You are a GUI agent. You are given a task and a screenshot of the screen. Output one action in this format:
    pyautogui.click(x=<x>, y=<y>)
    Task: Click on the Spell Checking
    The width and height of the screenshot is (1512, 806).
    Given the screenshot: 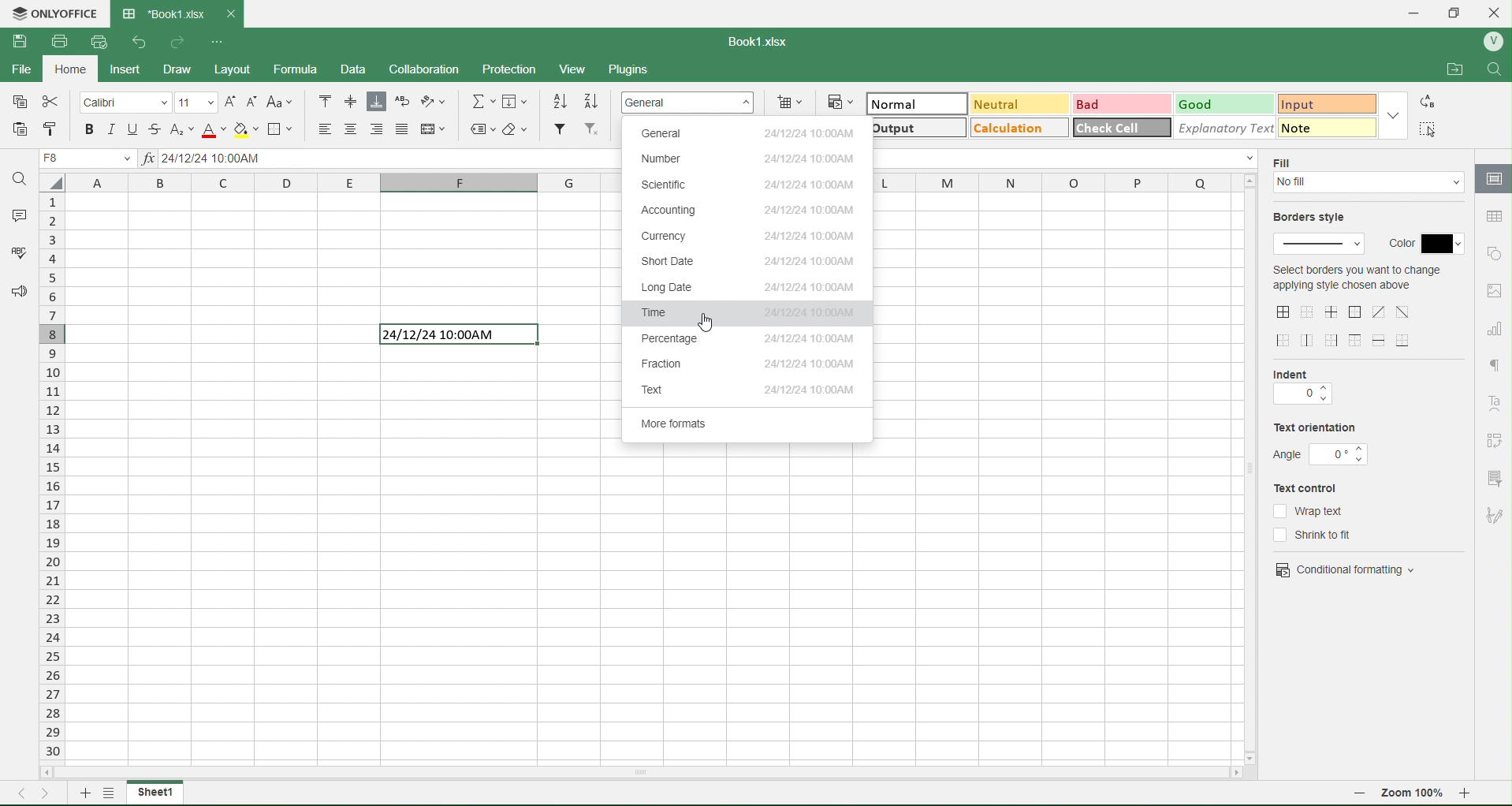 What is the action you would take?
    pyautogui.click(x=13, y=254)
    